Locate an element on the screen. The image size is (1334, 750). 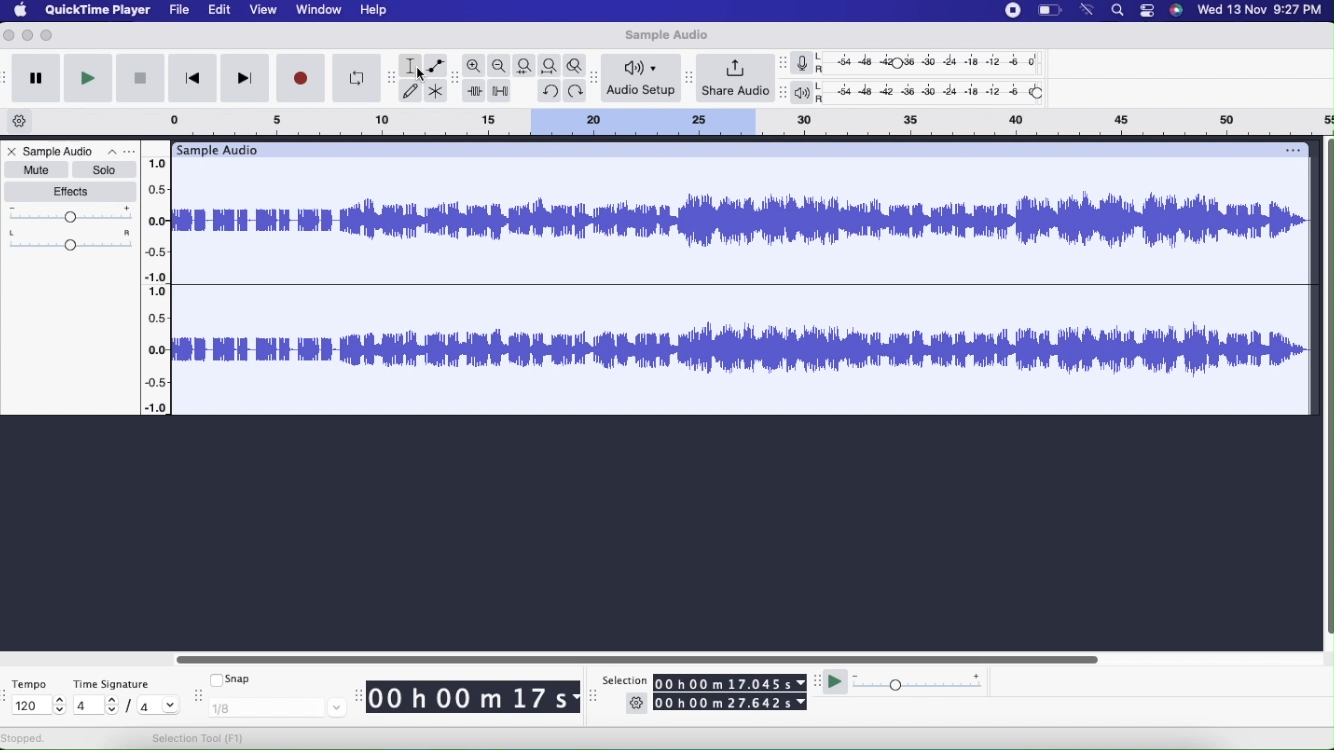
120 is located at coordinates (36, 706).